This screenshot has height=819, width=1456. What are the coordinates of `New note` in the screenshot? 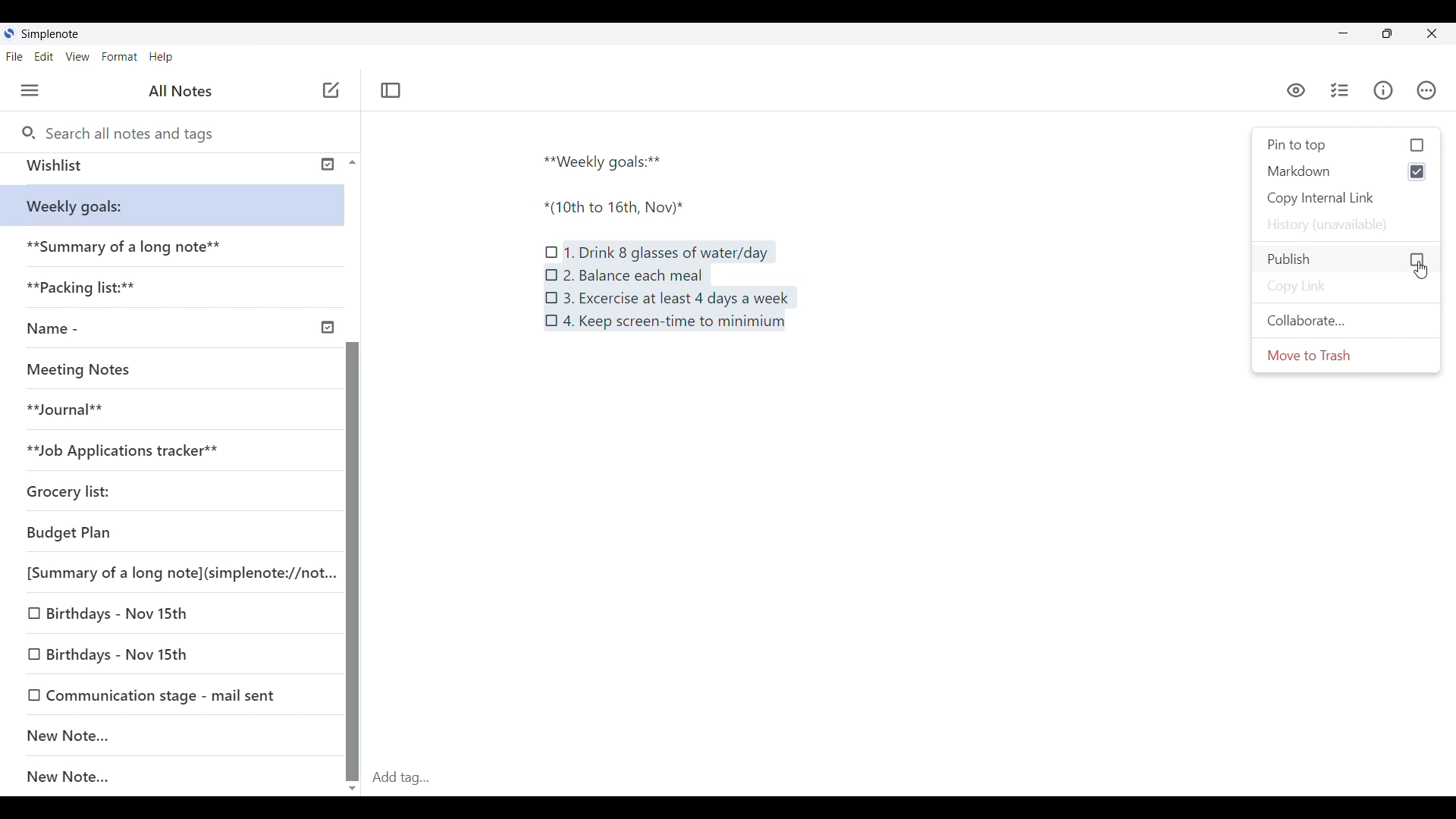 It's located at (331, 89).